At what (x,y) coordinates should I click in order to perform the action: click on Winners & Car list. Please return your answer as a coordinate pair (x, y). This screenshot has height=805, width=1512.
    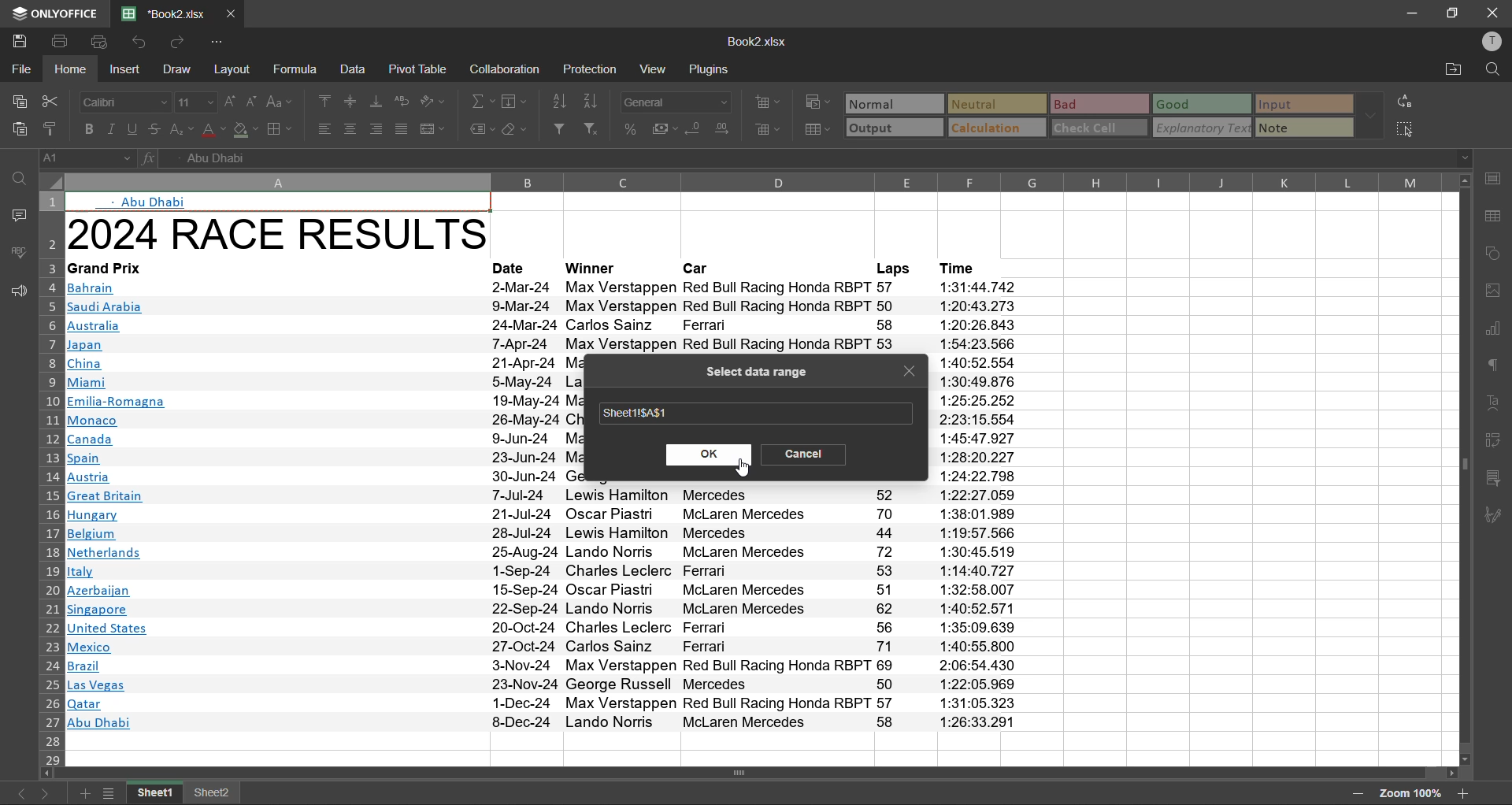
    Looking at the image, I should click on (739, 606).